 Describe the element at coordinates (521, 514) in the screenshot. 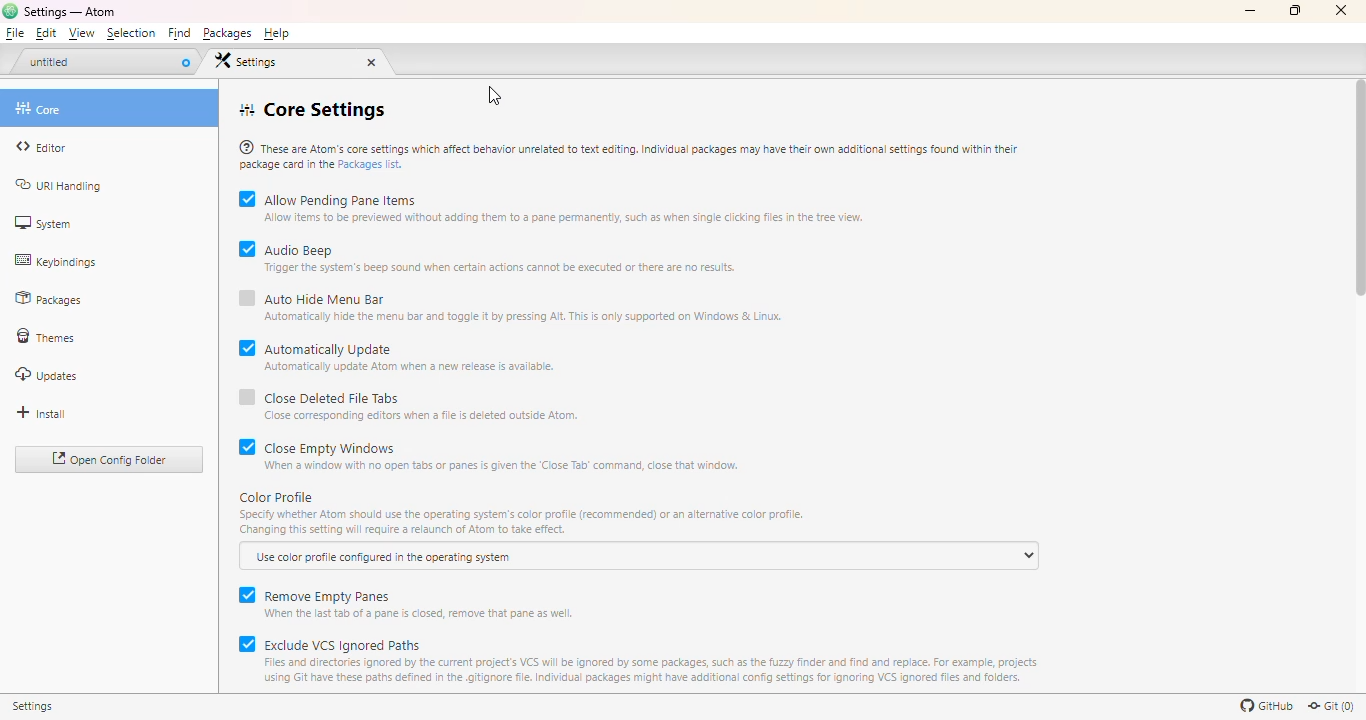

I see `color profile` at that location.